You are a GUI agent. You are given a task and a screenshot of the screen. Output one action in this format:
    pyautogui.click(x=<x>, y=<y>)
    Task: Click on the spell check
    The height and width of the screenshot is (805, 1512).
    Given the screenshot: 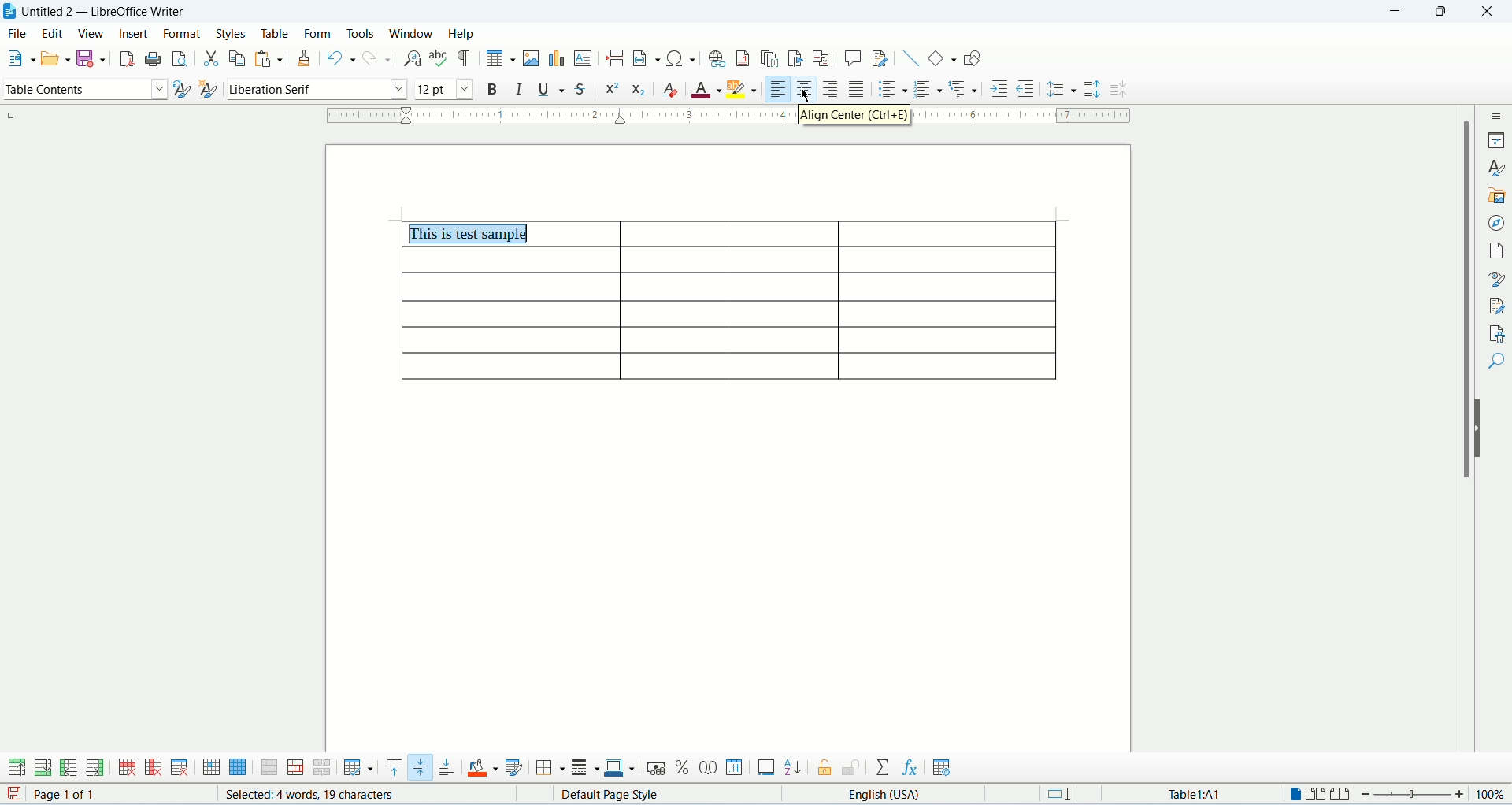 What is the action you would take?
    pyautogui.click(x=439, y=57)
    